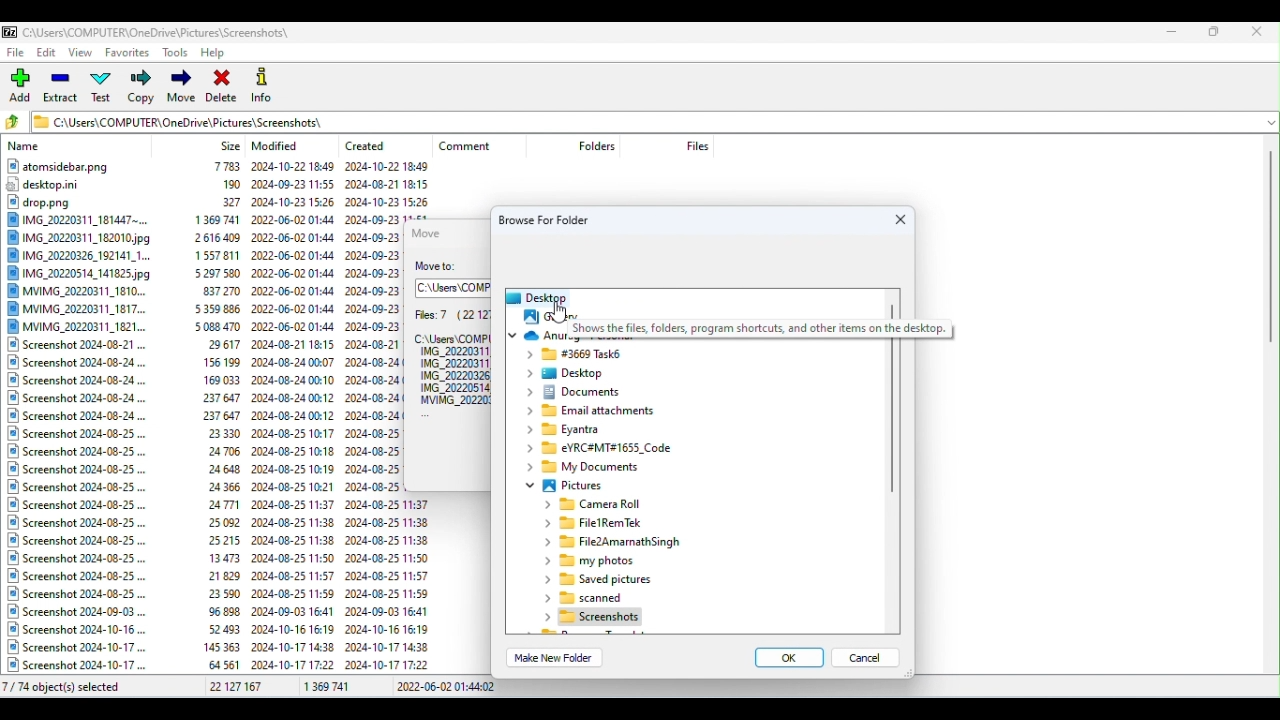 The image size is (1280, 720). I want to click on Documents, so click(577, 391).